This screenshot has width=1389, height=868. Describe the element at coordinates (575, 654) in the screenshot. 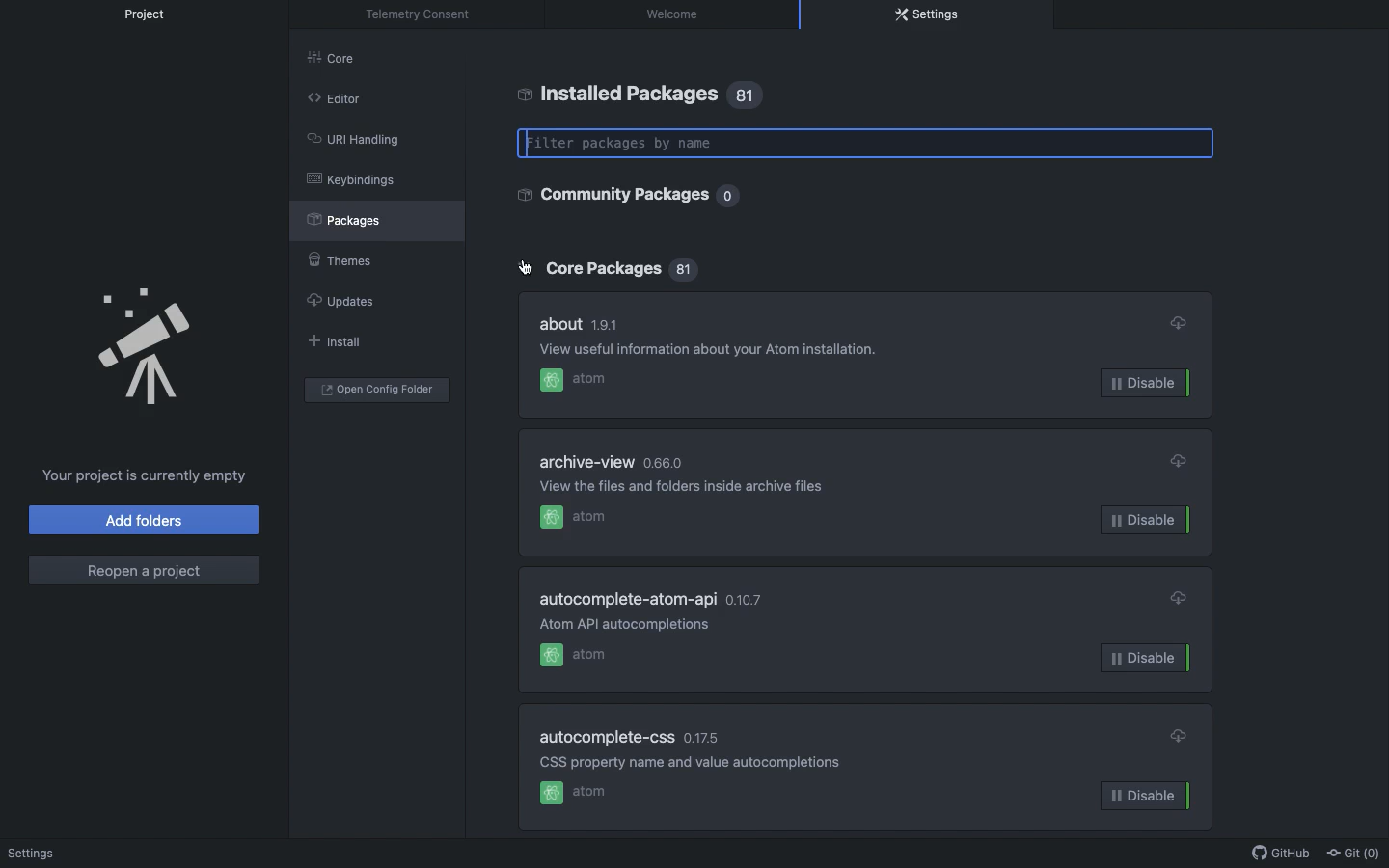

I see `Atom` at that location.